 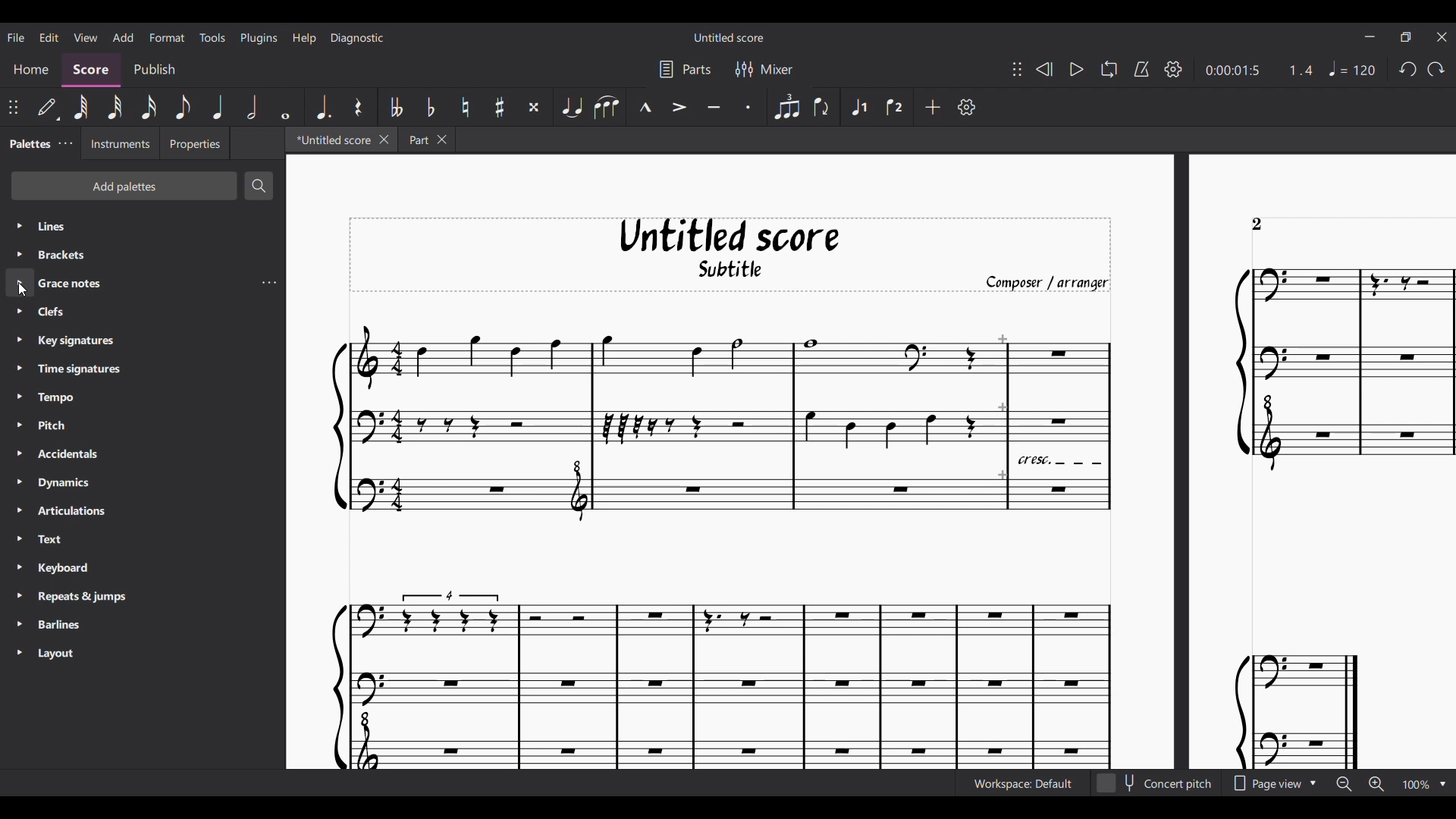 I want to click on Toggle double flat, so click(x=395, y=107).